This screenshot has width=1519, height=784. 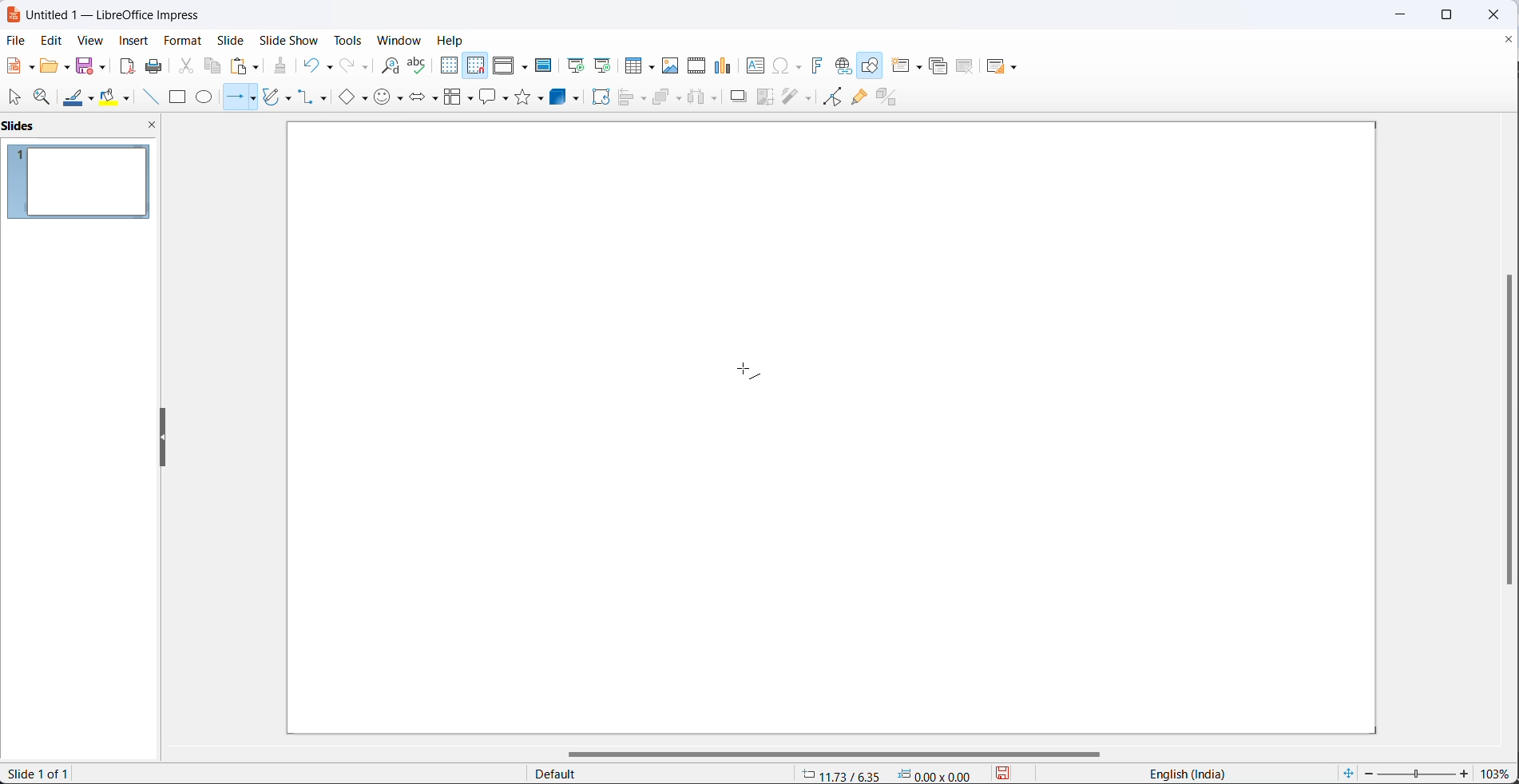 What do you see at coordinates (137, 42) in the screenshot?
I see `insert ` at bounding box center [137, 42].